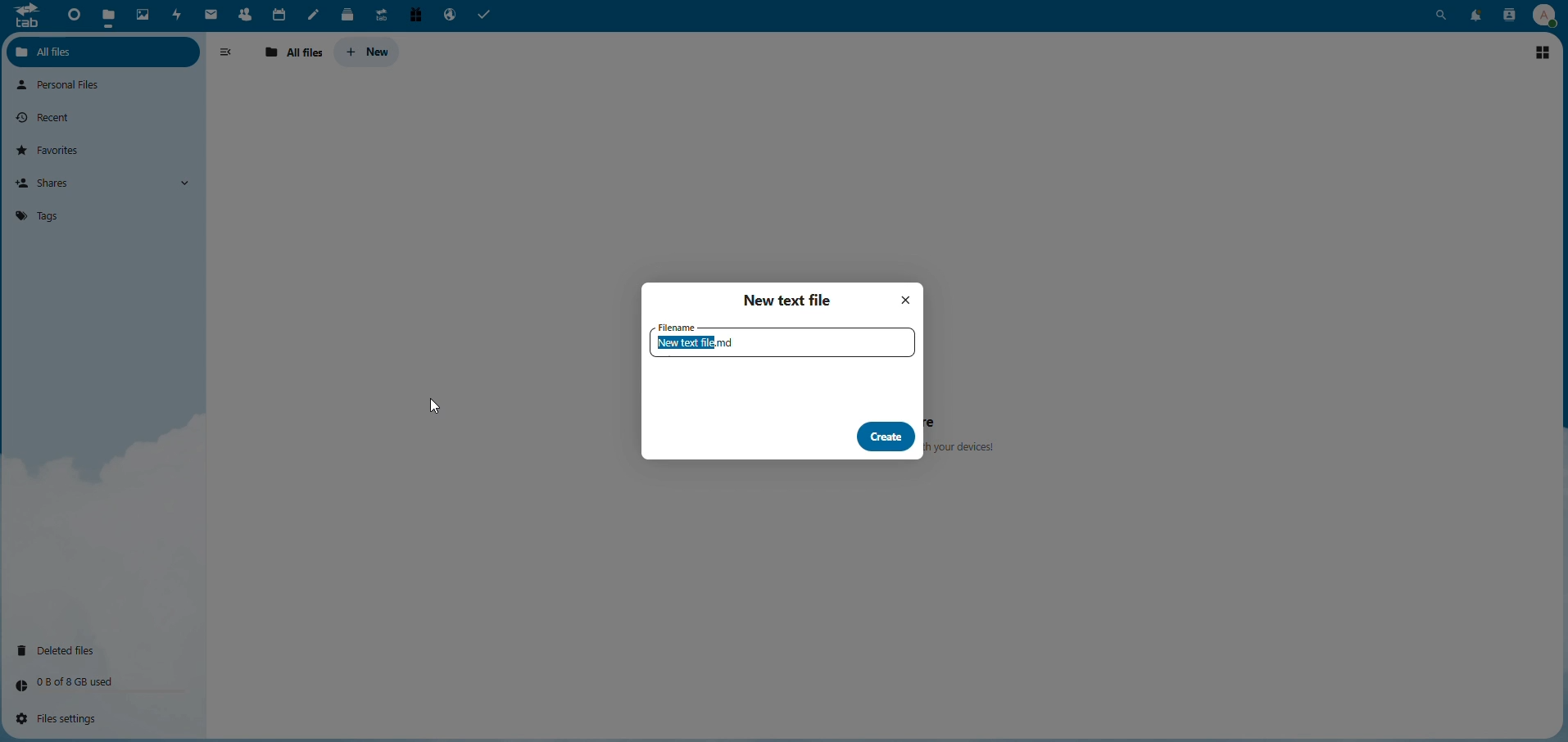 This screenshot has height=742, width=1568. I want to click on Mail, so click(211, 16).